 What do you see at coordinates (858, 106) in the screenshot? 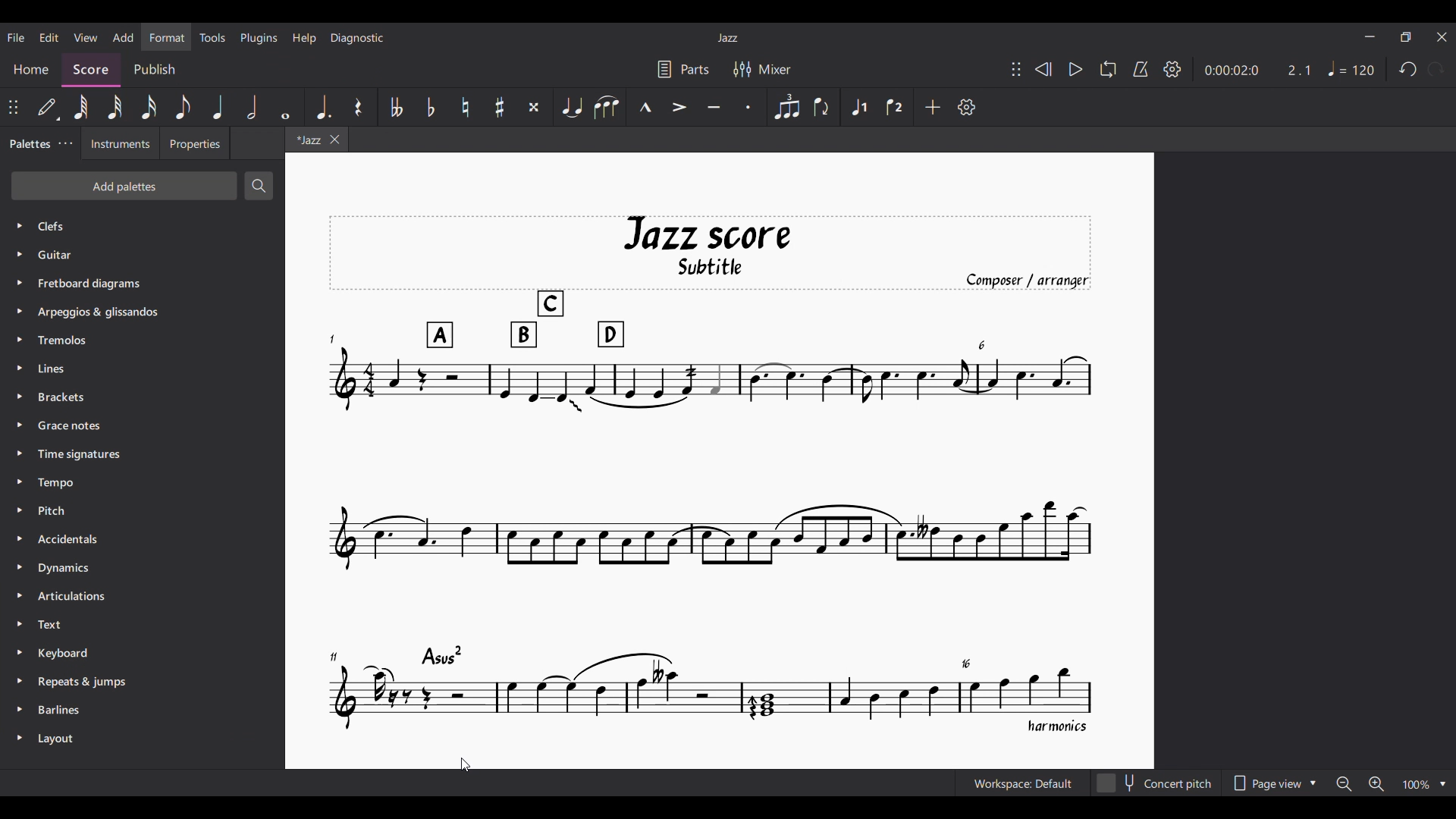
I see `Voice 1` at bounding box center [858, 106].